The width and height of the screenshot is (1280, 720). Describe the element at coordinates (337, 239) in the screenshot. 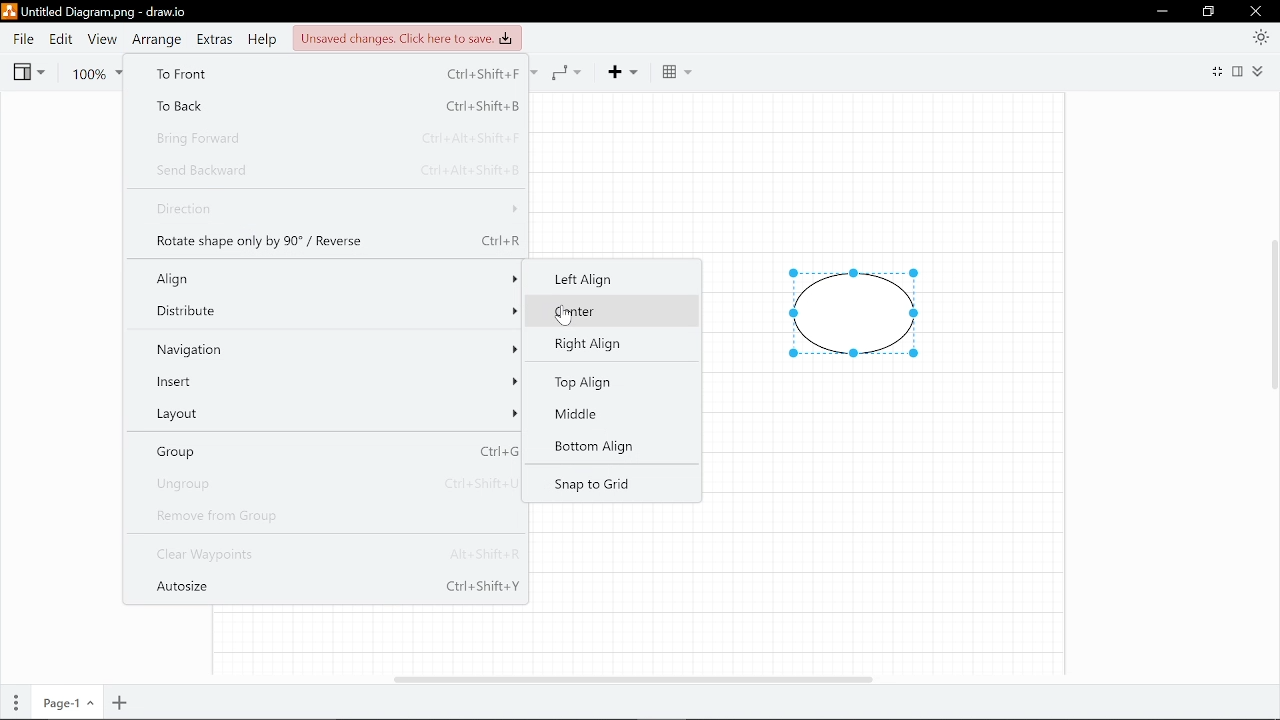

I see `Rotate shape by 90 degrees/ Reverse` at that location.